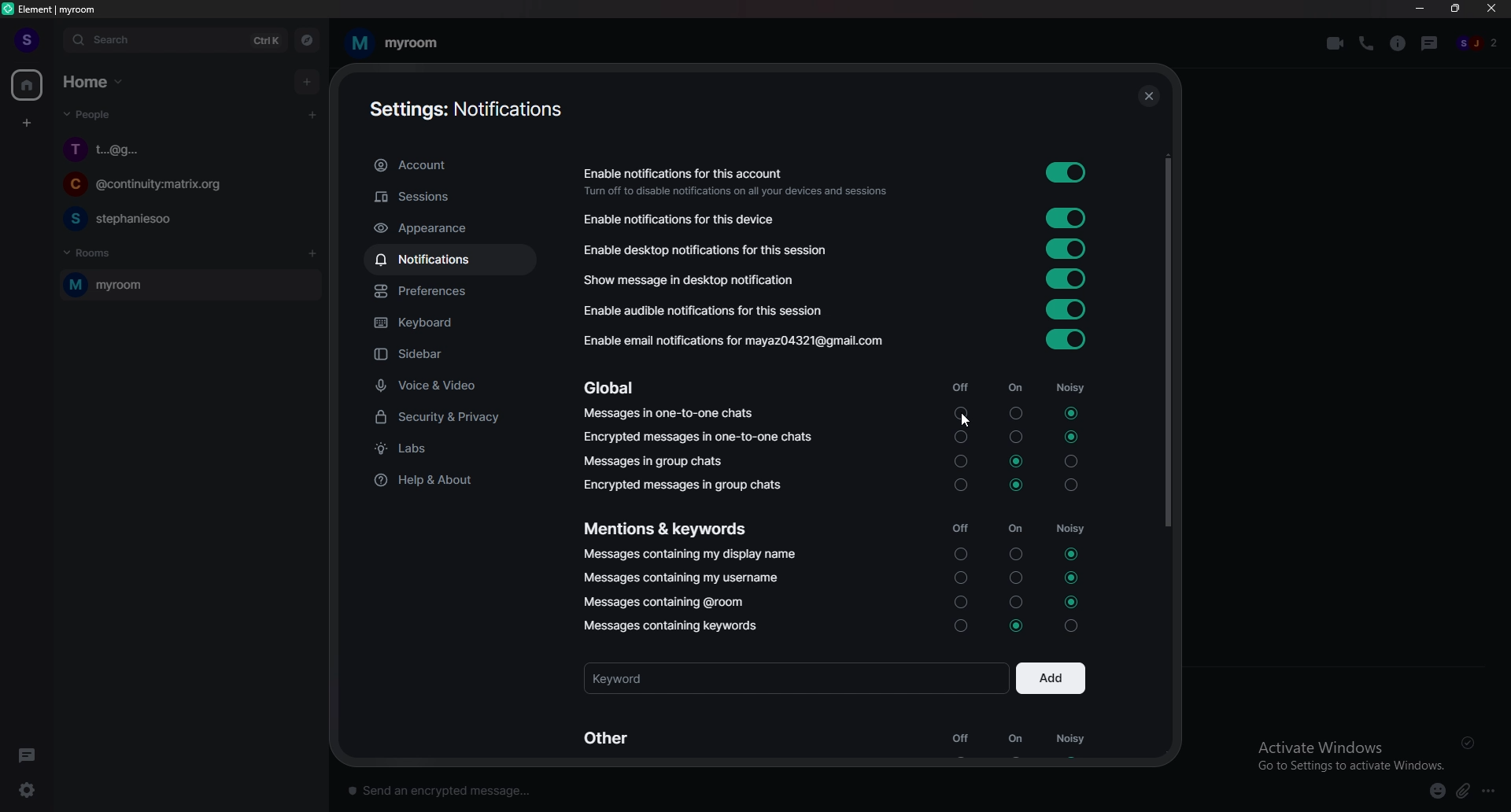  I want to click on enable notifications for this device, so click(689, 220).